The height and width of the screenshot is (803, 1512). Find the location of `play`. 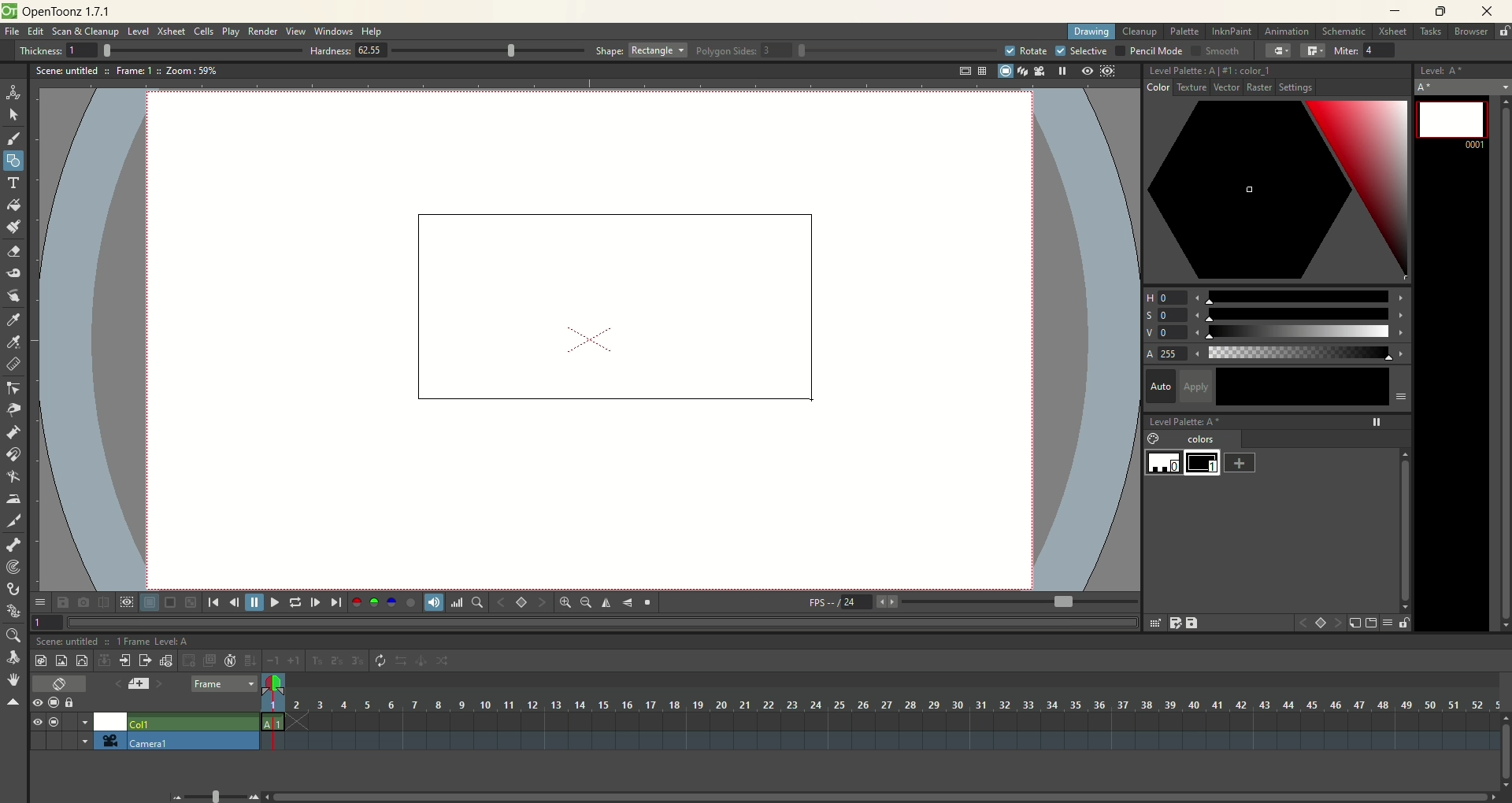

play is located at coordinates (231, 31).